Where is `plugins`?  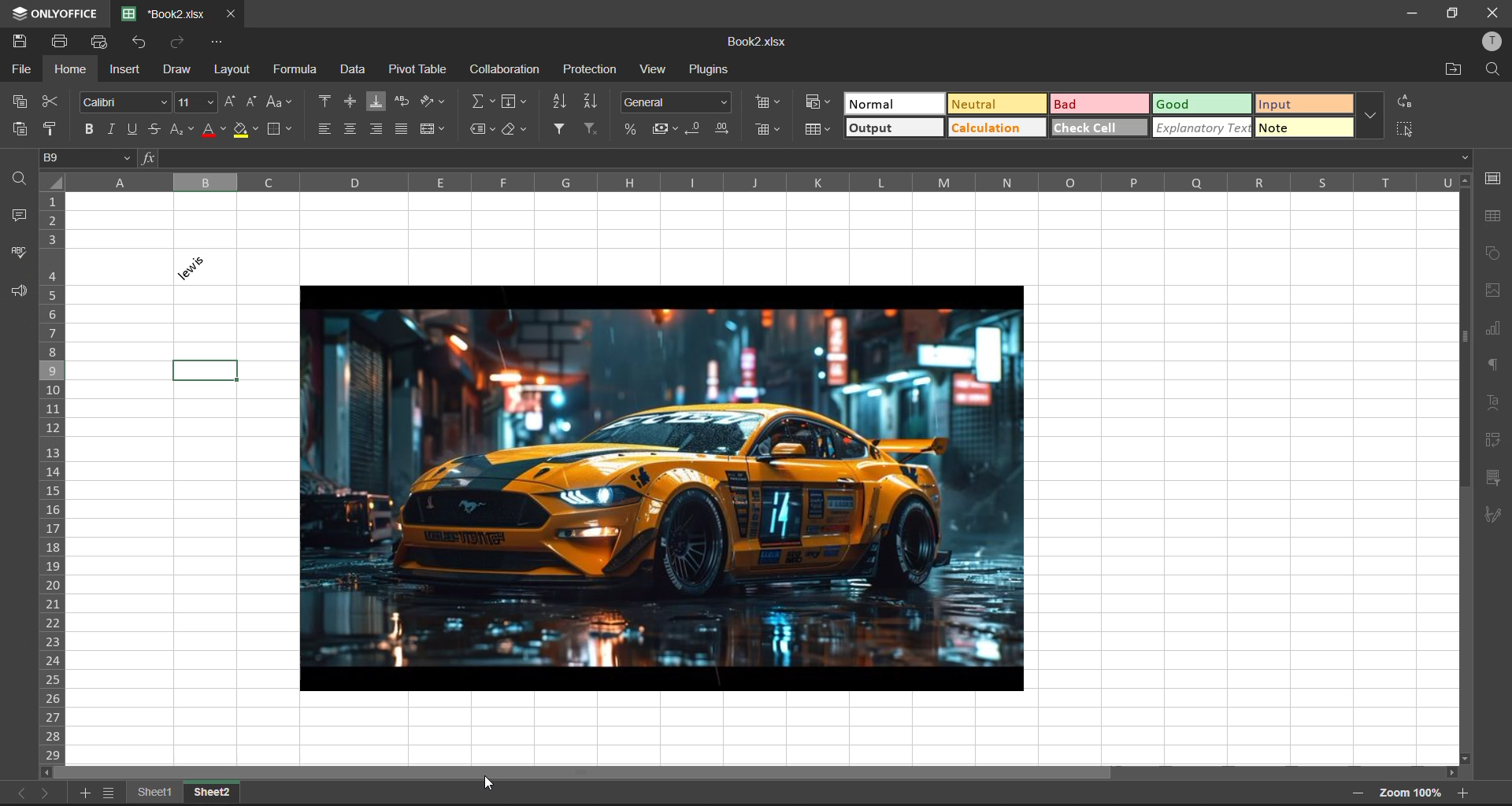
plugins is located at coordinates (708, 72).